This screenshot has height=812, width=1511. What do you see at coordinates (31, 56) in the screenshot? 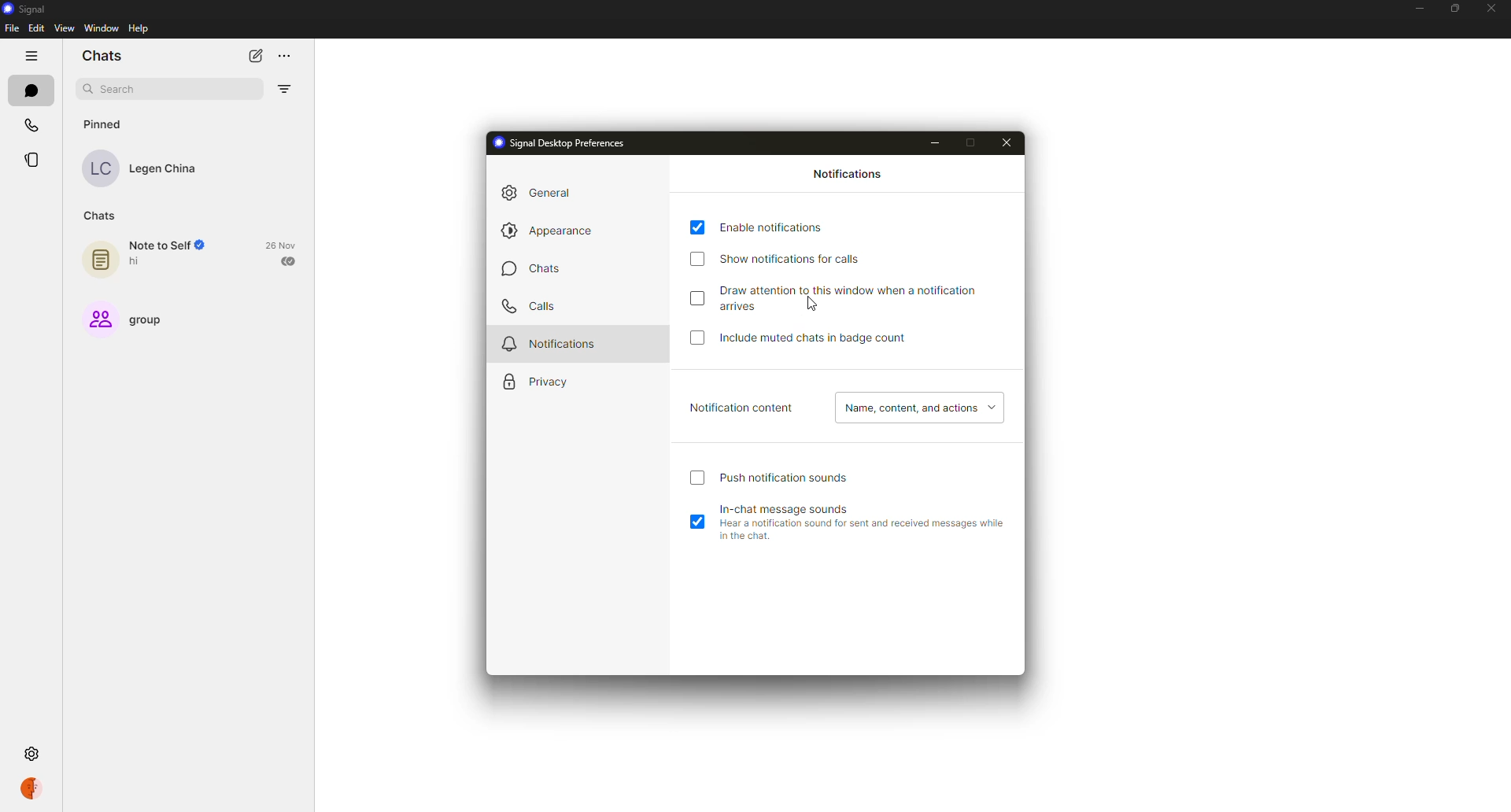
I see `hide tabs` at bounding box center [31, 56].